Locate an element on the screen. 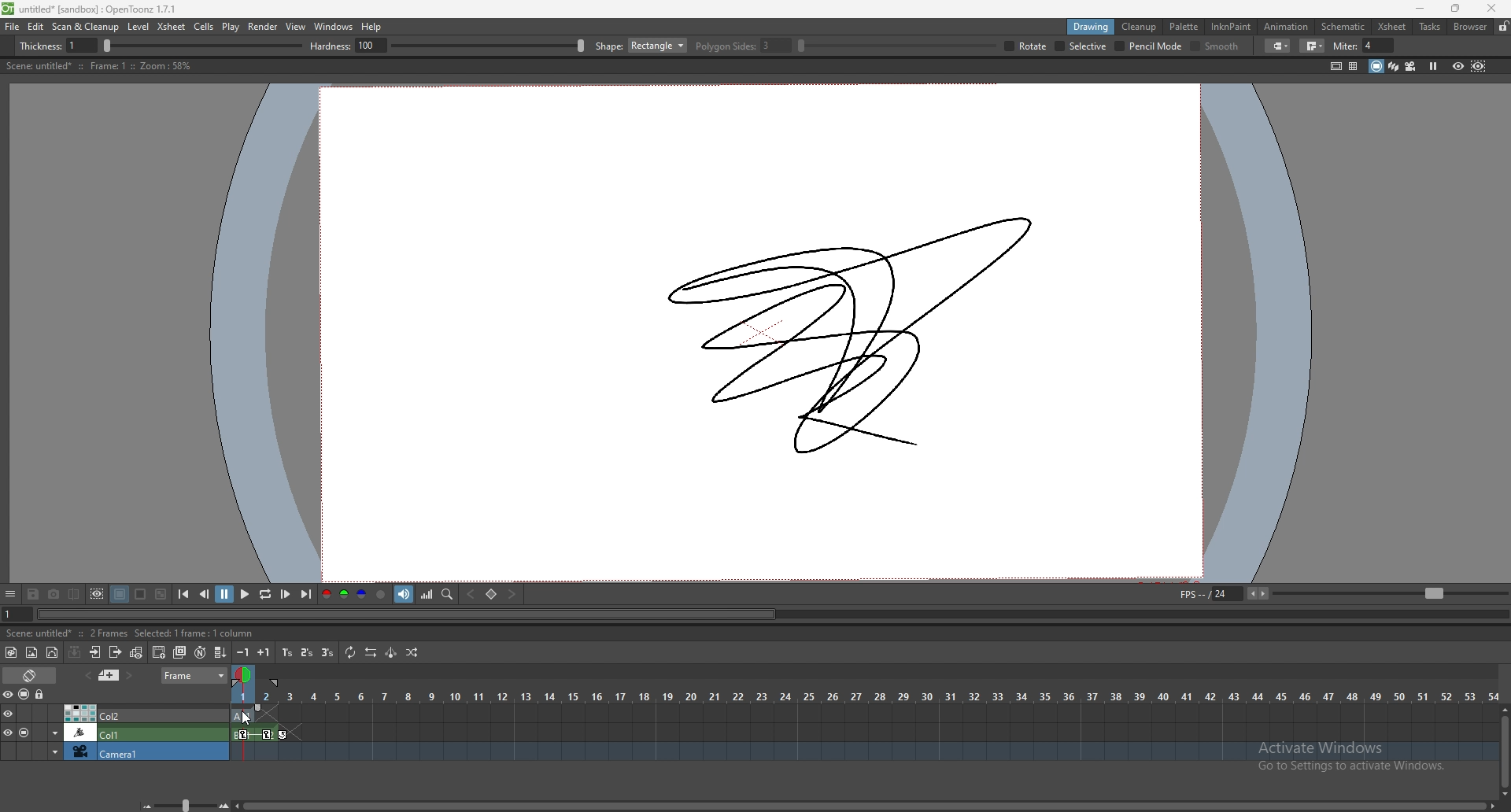 The height and width of the screenshot is (812, 1511). join is located at coordinates (1315, 46).